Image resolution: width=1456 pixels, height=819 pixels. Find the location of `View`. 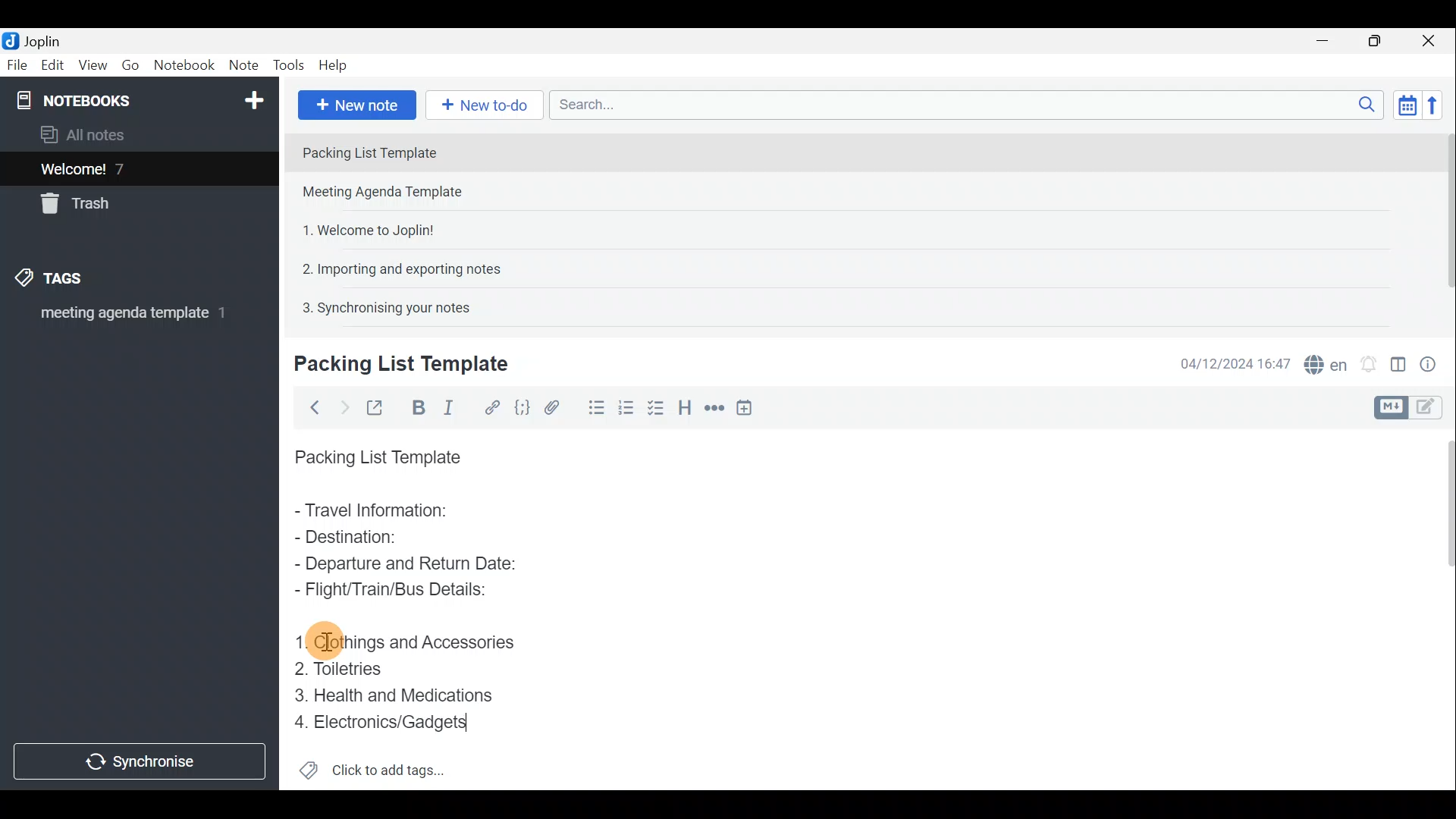

View is located at coordinates (94, 65).